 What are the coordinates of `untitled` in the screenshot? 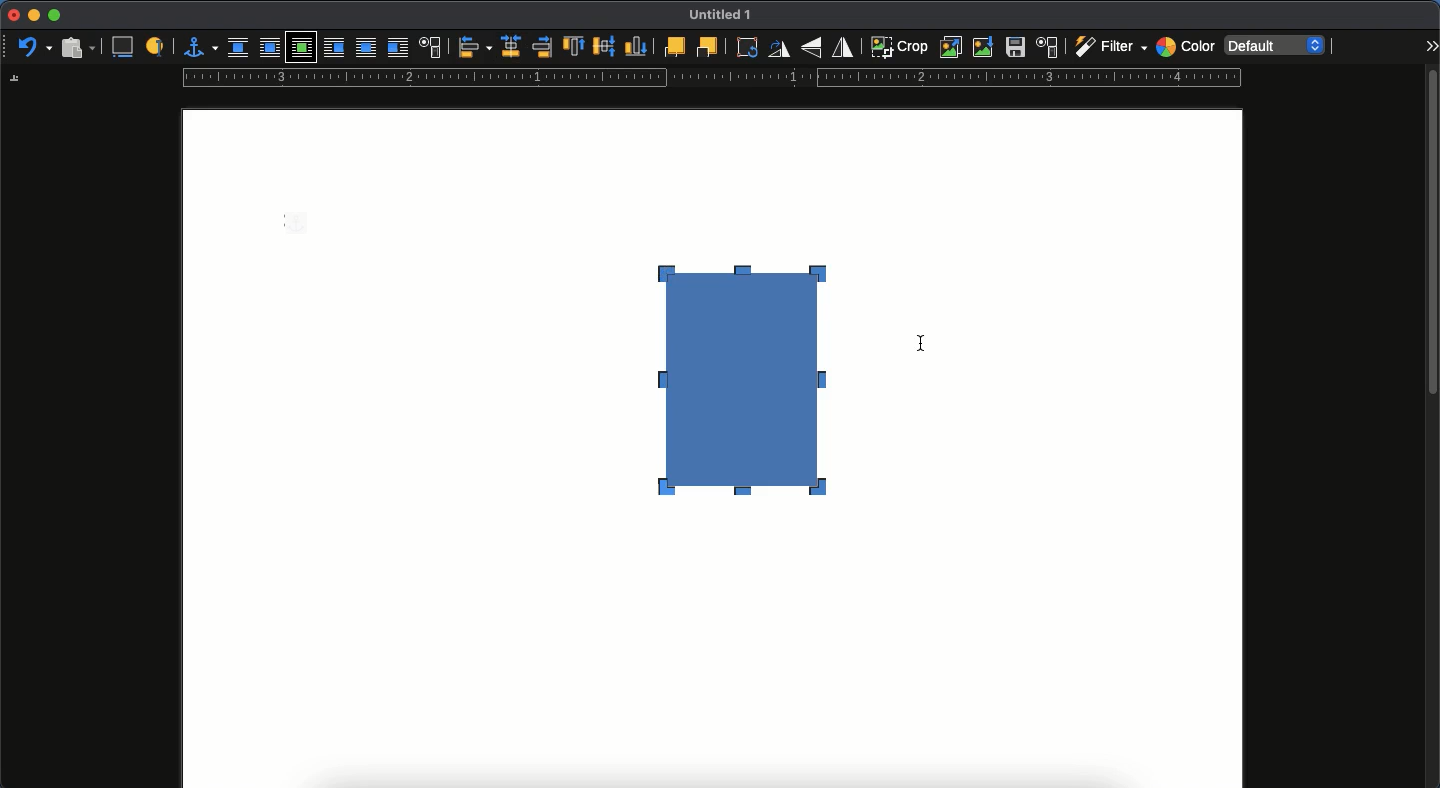 It's located at (716, 16).